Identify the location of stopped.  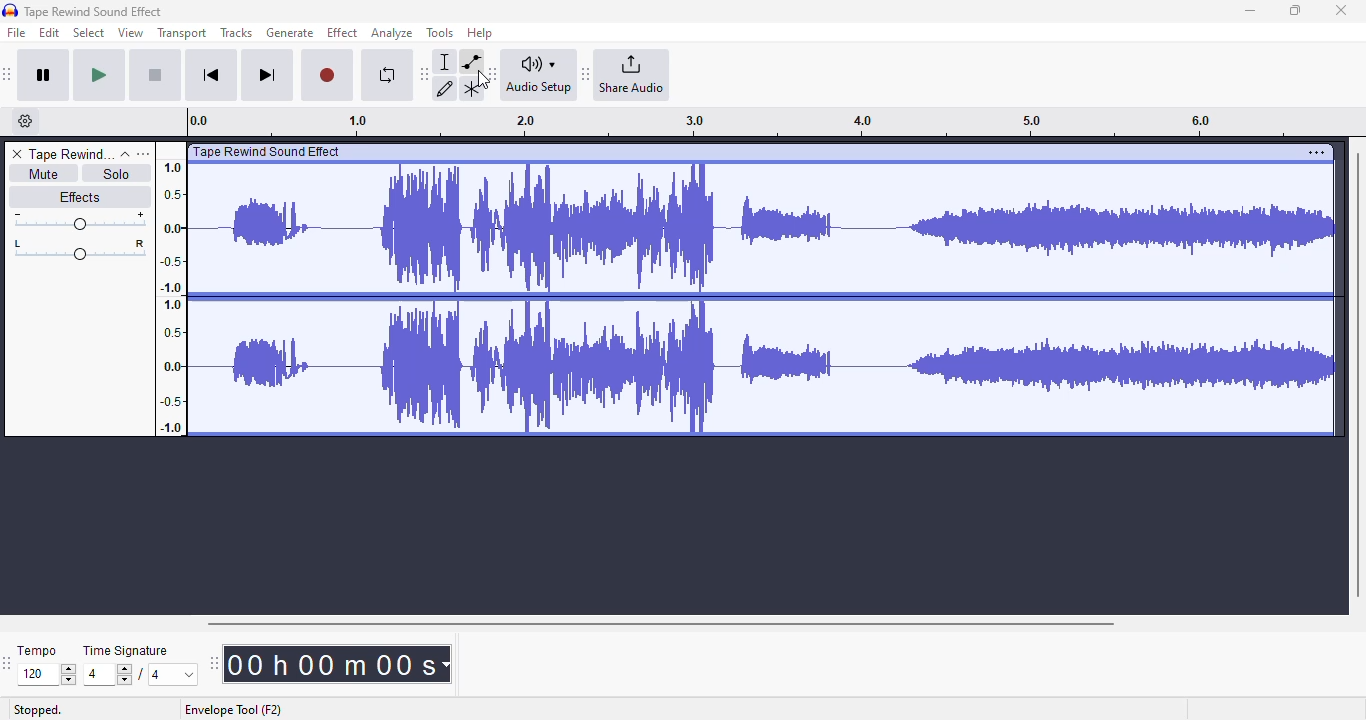
(38, 711).